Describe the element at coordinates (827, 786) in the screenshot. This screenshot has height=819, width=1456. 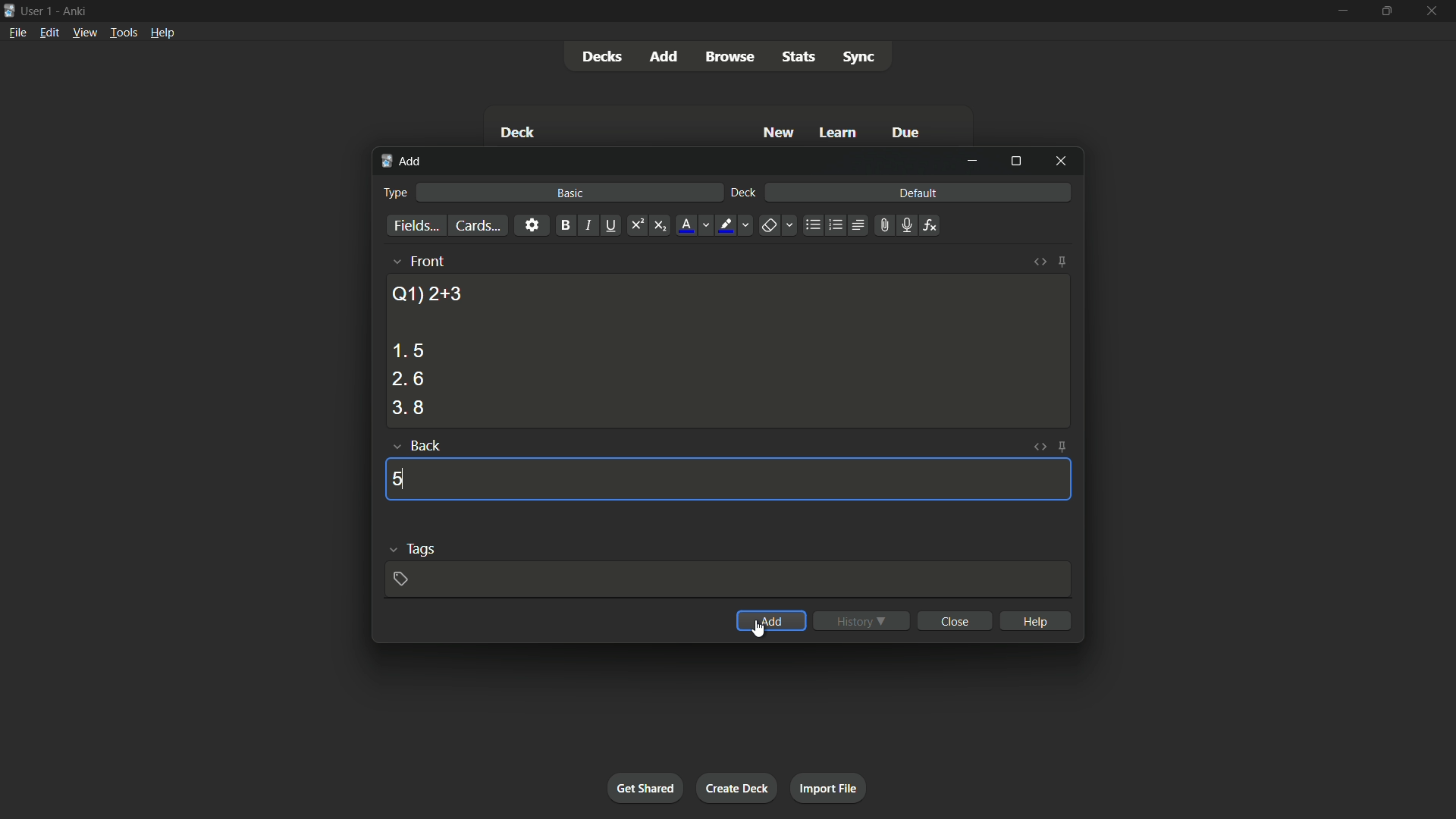
I see `import file` at that location.